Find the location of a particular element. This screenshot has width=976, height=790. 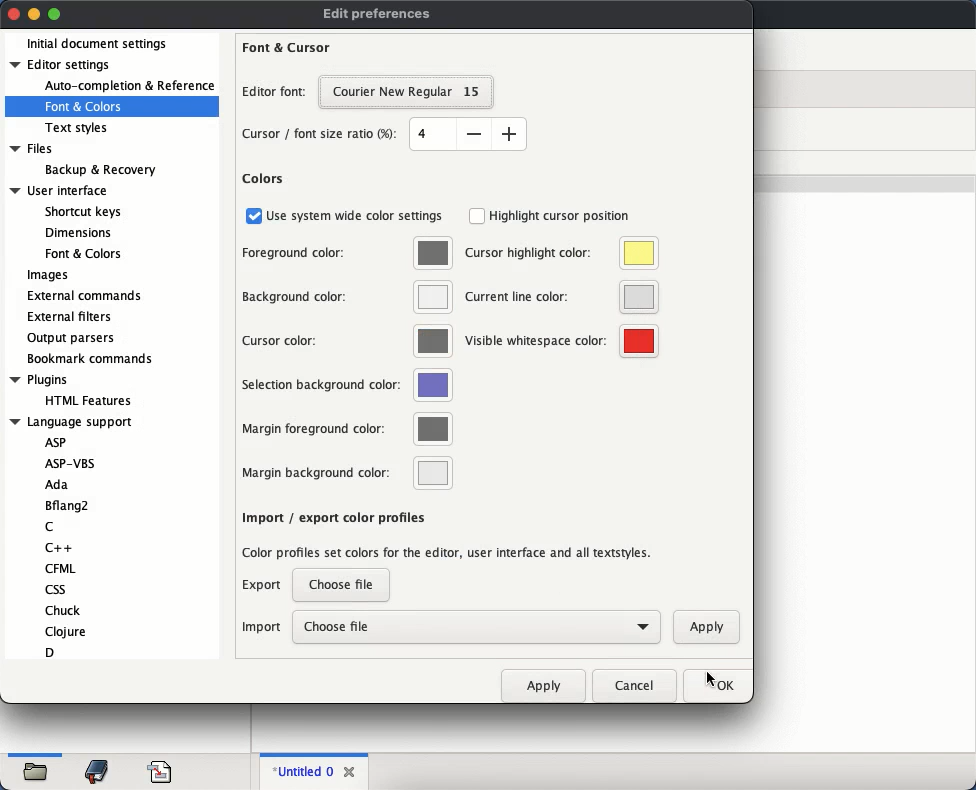

bookmark command is located at coordinates (87, 360).